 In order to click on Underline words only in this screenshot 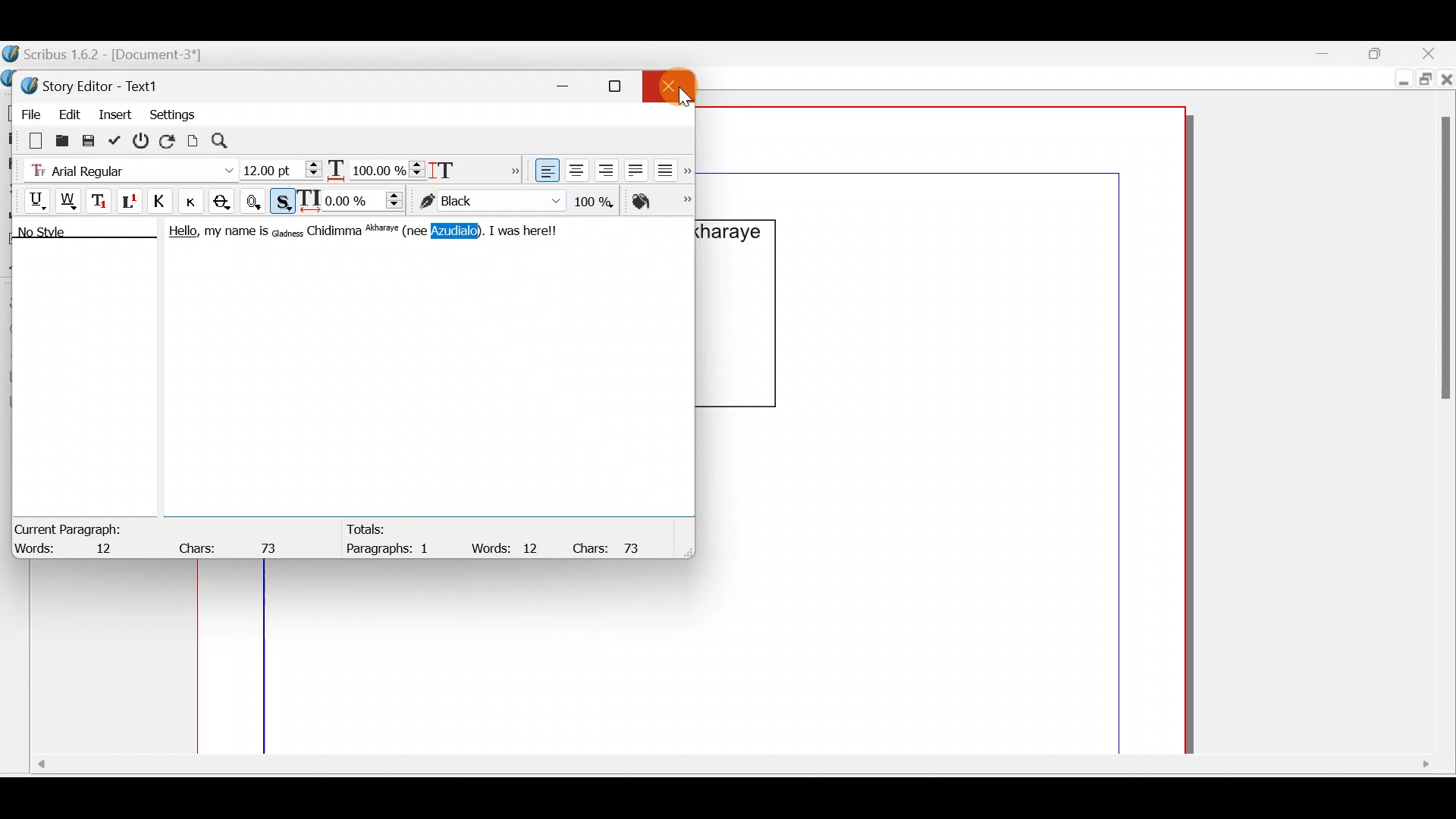, I will do `click(70, 200)`.